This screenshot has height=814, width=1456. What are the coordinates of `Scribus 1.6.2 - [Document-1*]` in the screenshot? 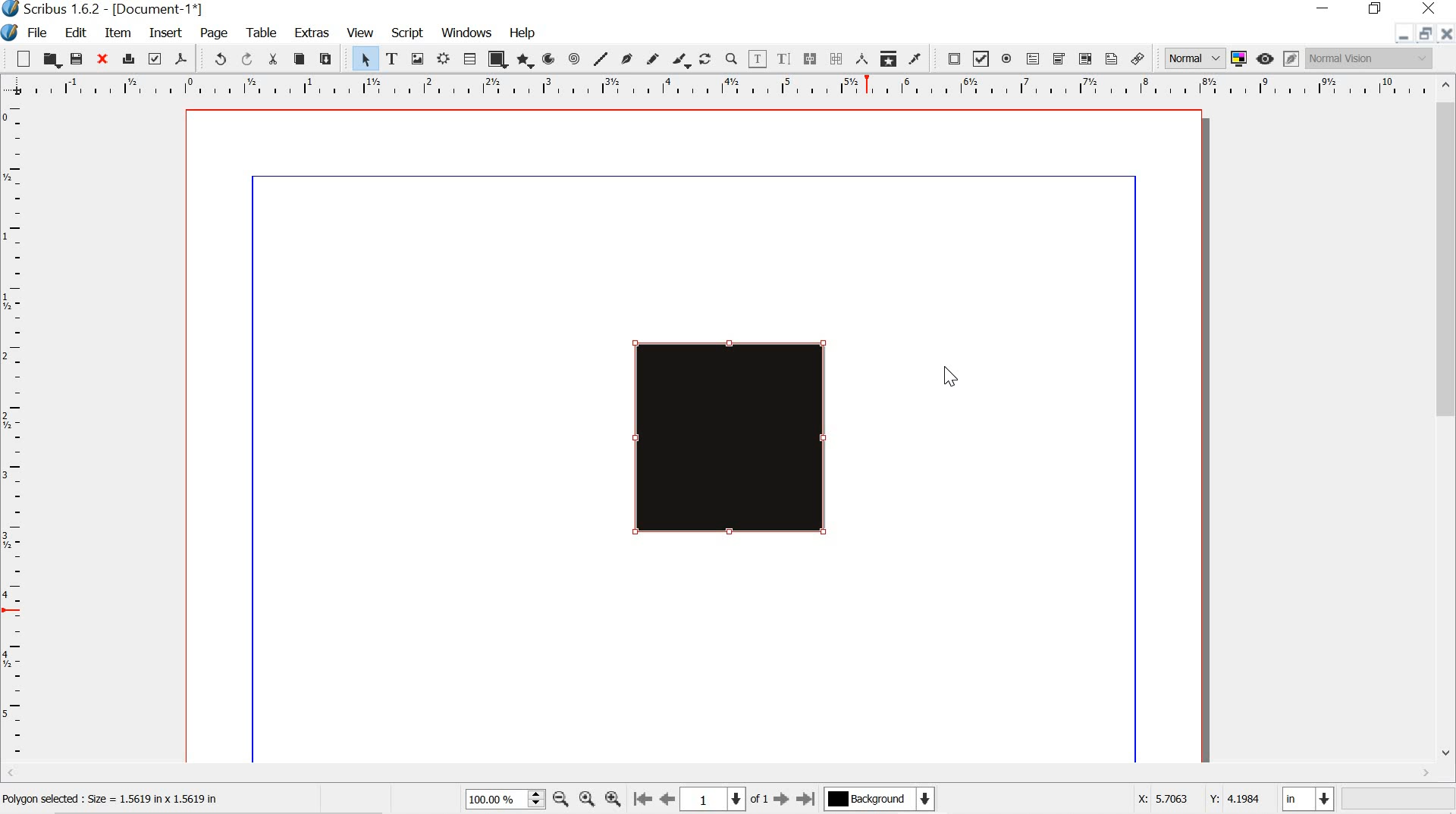 It's located at (124, 9).